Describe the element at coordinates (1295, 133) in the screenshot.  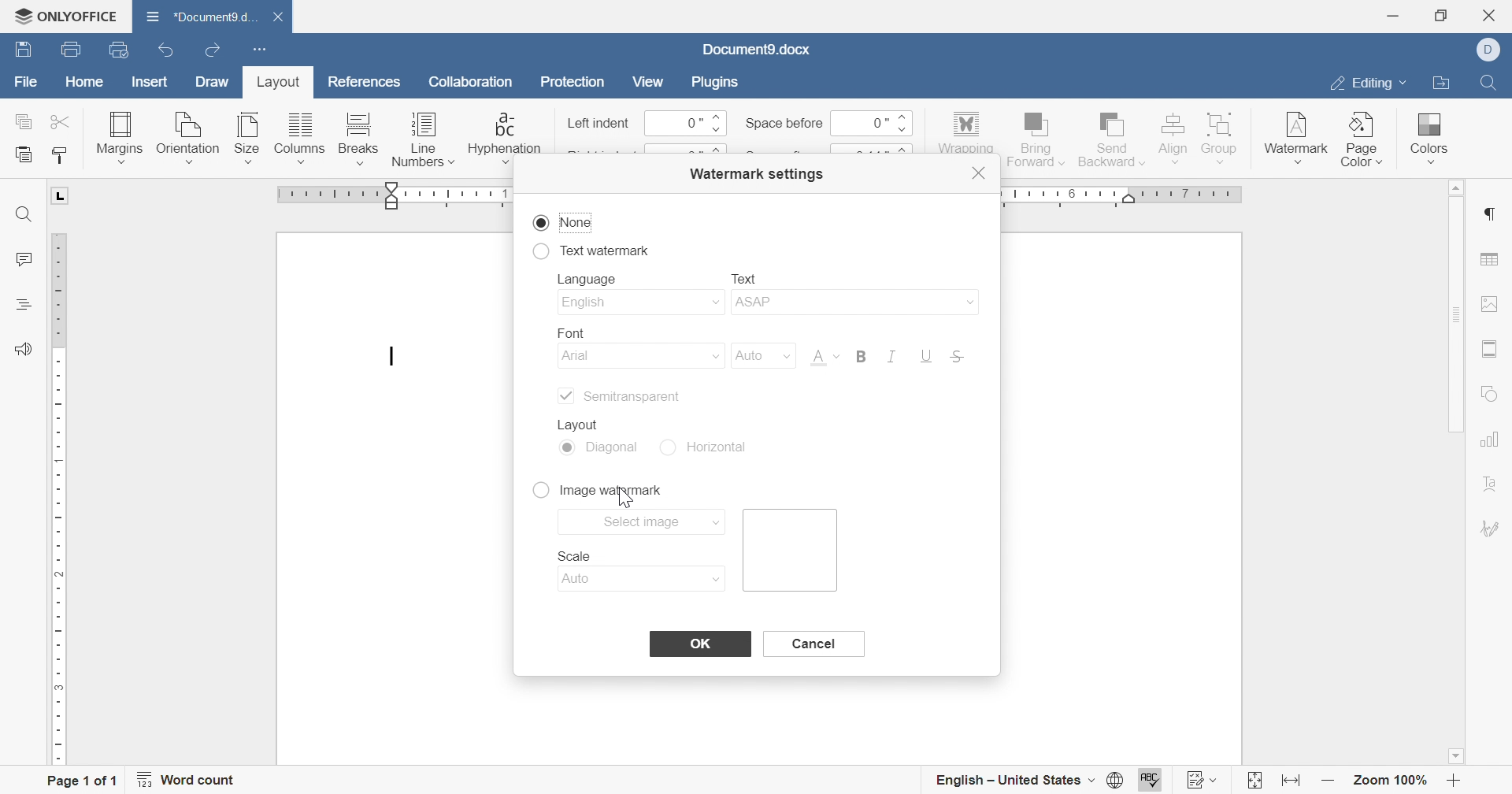
I see `watermark` at that location.